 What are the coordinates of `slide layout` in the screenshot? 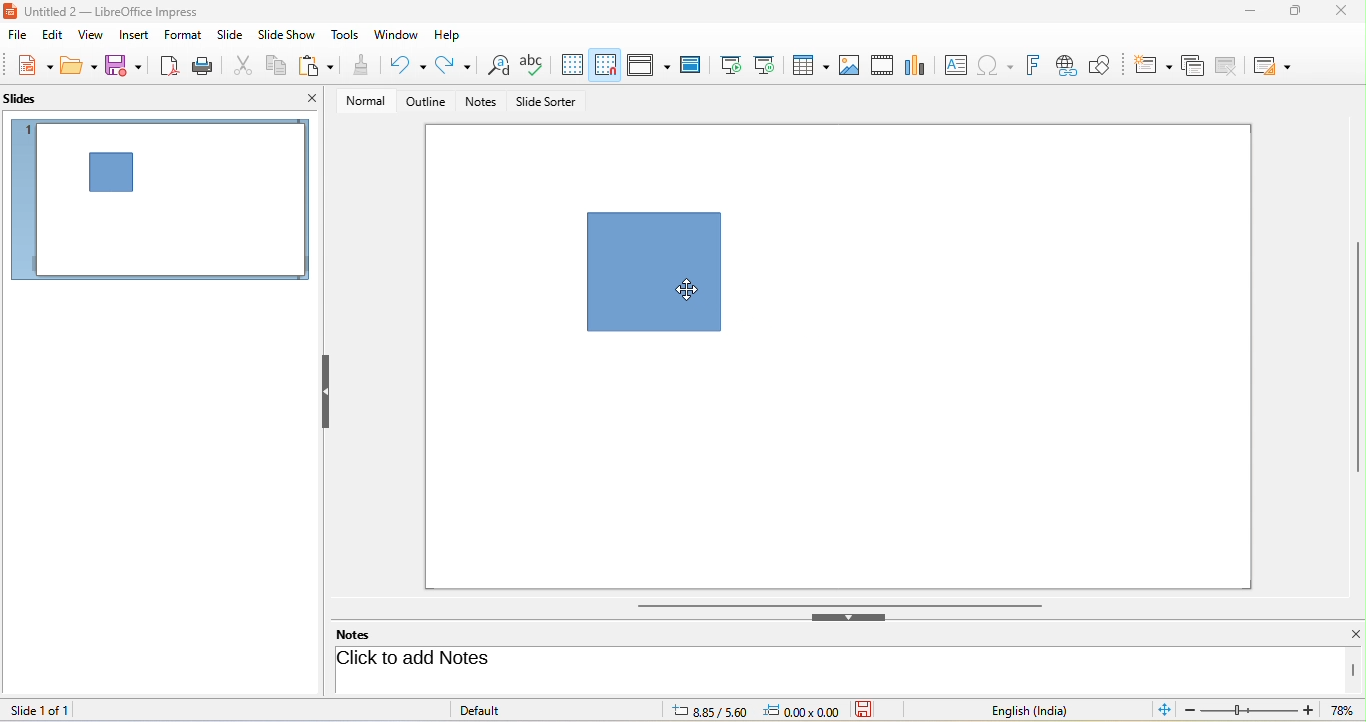 It's located at (1277, 64).